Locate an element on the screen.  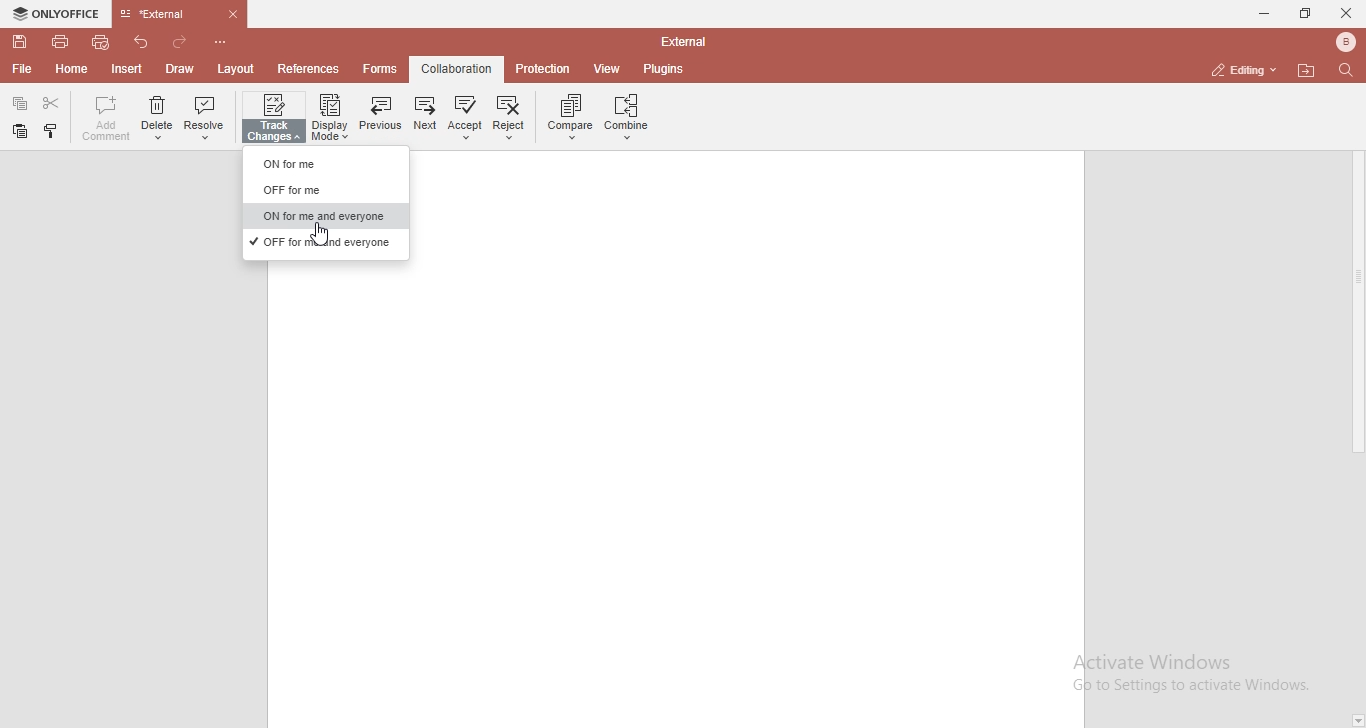
scrollbar is located at coordinates (1357, 278).